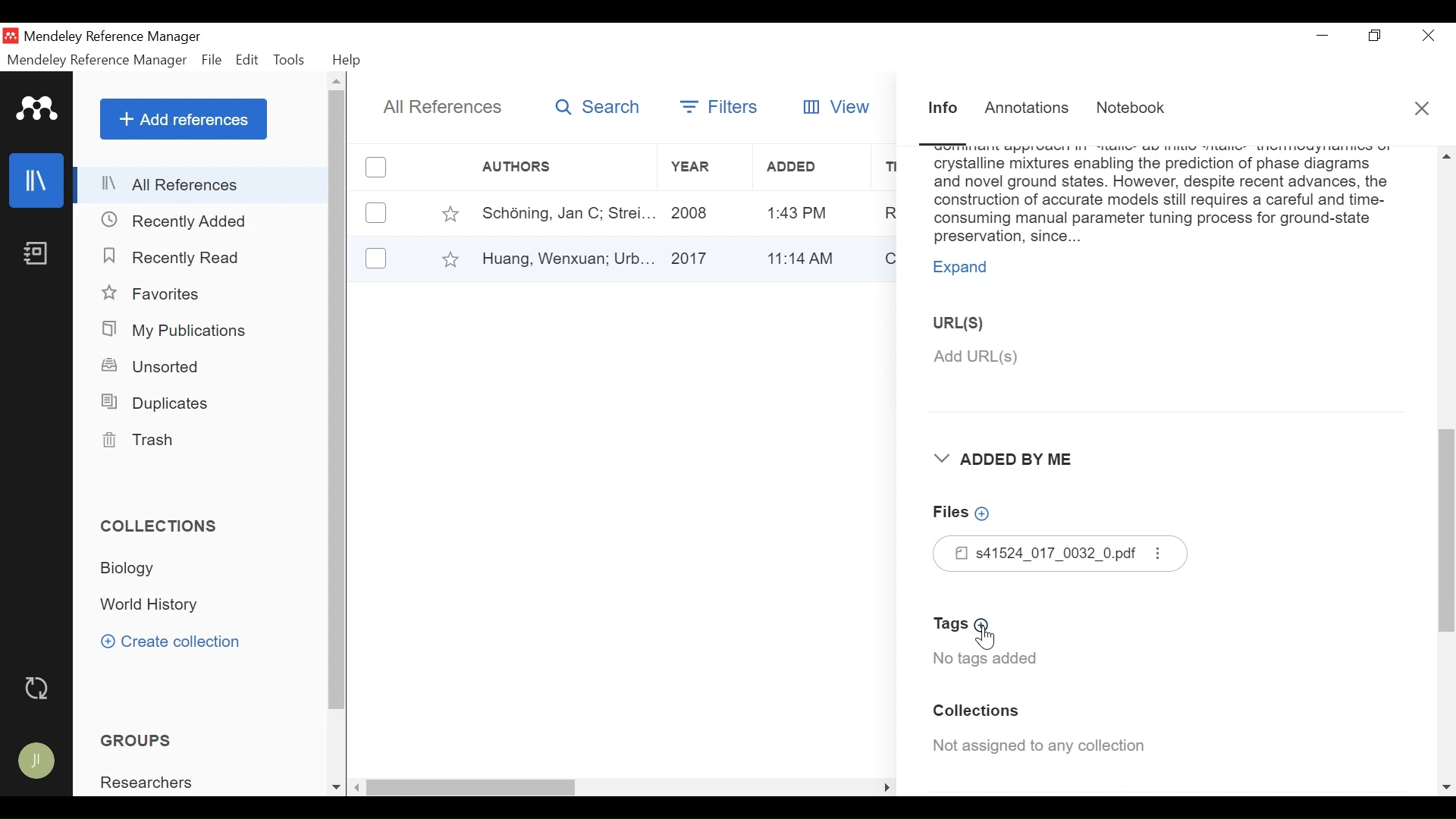  What do you see at coordinates (1430, 35) in the screenshot?
I see `Close` at bounding box center [1430, 35].